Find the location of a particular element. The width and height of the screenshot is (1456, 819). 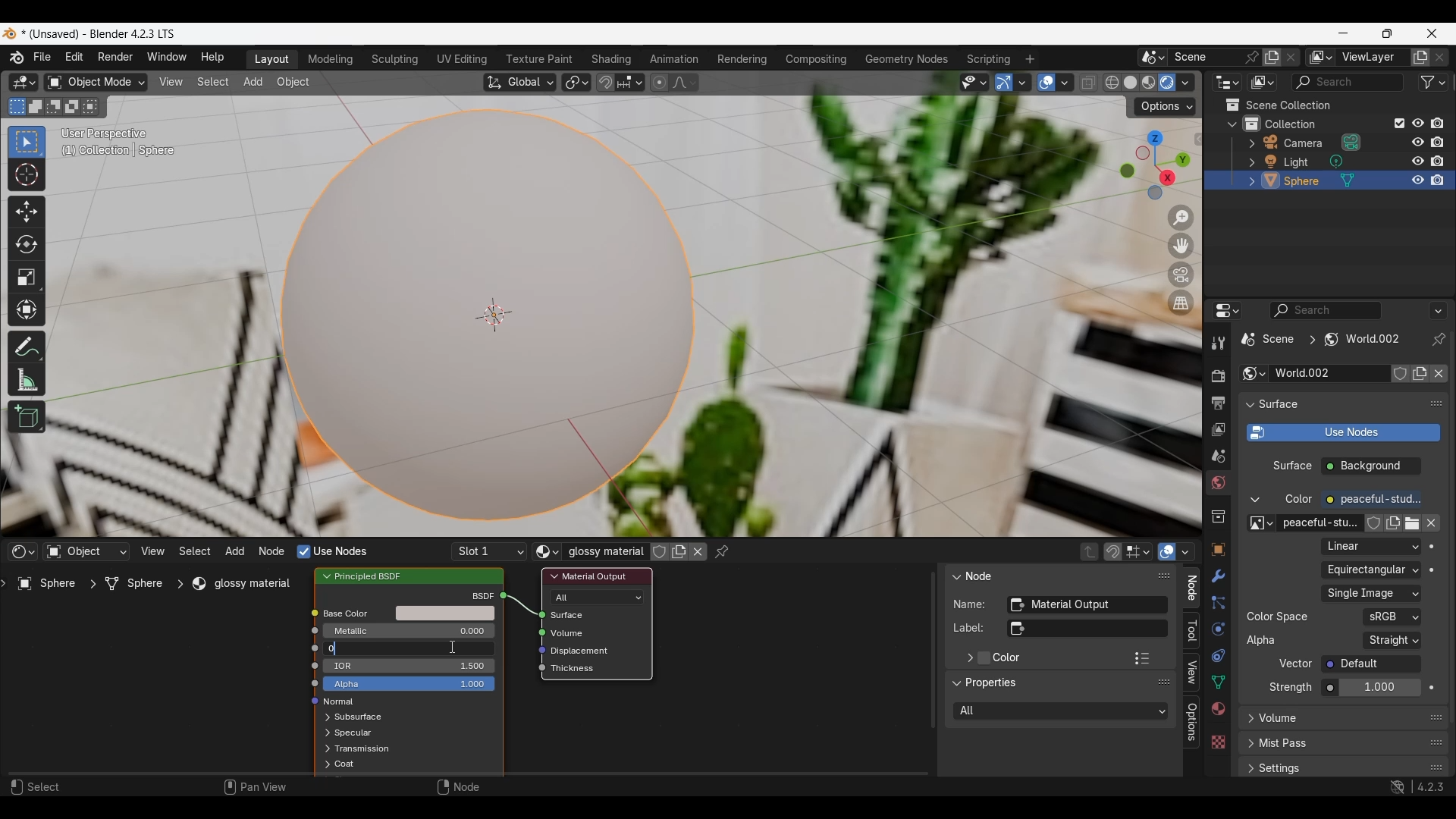

File menu is located at coordinates (42, 58).